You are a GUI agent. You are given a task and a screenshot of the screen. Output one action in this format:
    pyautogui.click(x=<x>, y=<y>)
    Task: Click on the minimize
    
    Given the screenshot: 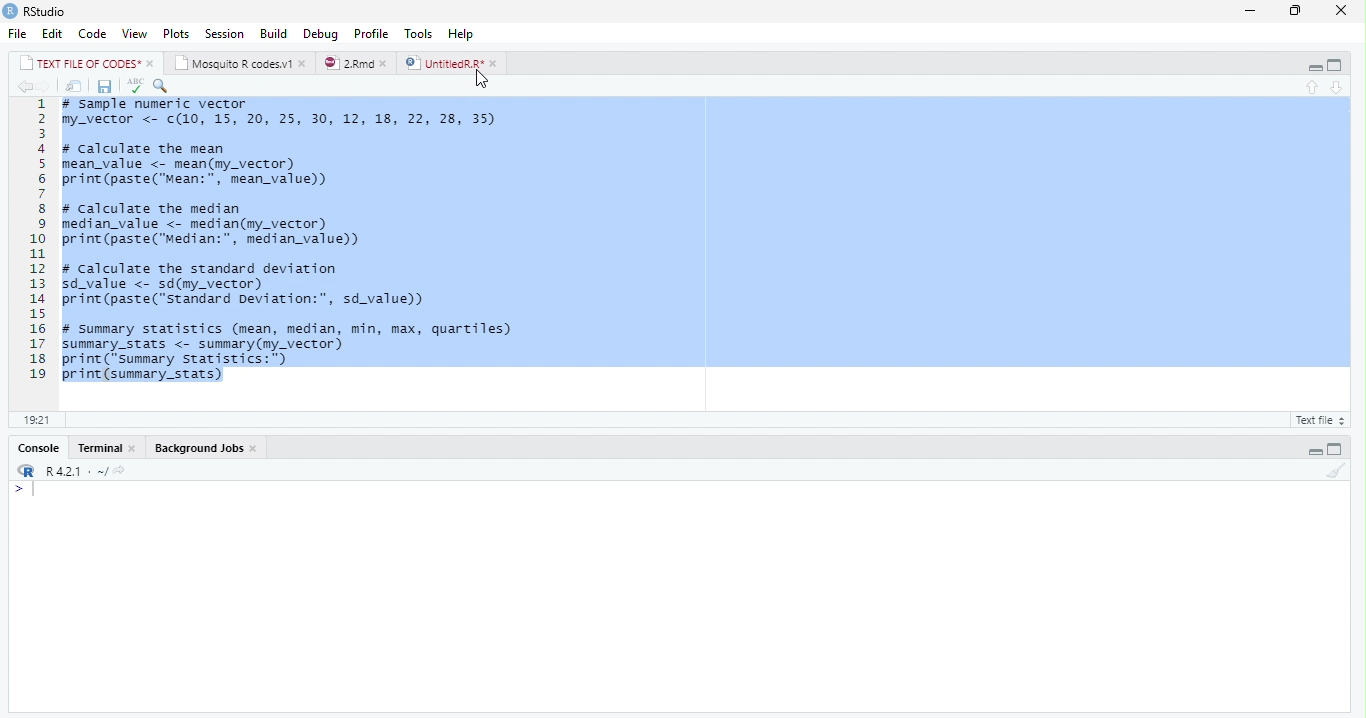 What is the action you would take?
    pyautogui.click(x=1315, y=66)
    